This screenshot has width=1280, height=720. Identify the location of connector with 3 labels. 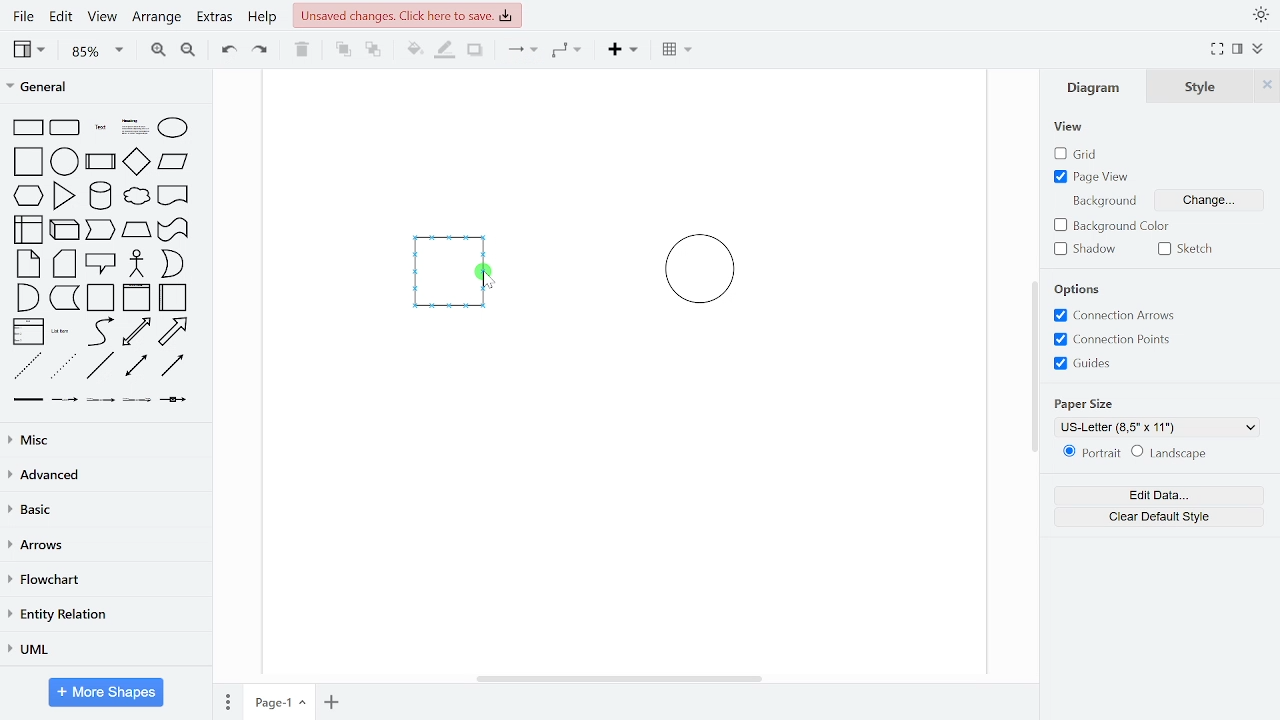
(139, 401).